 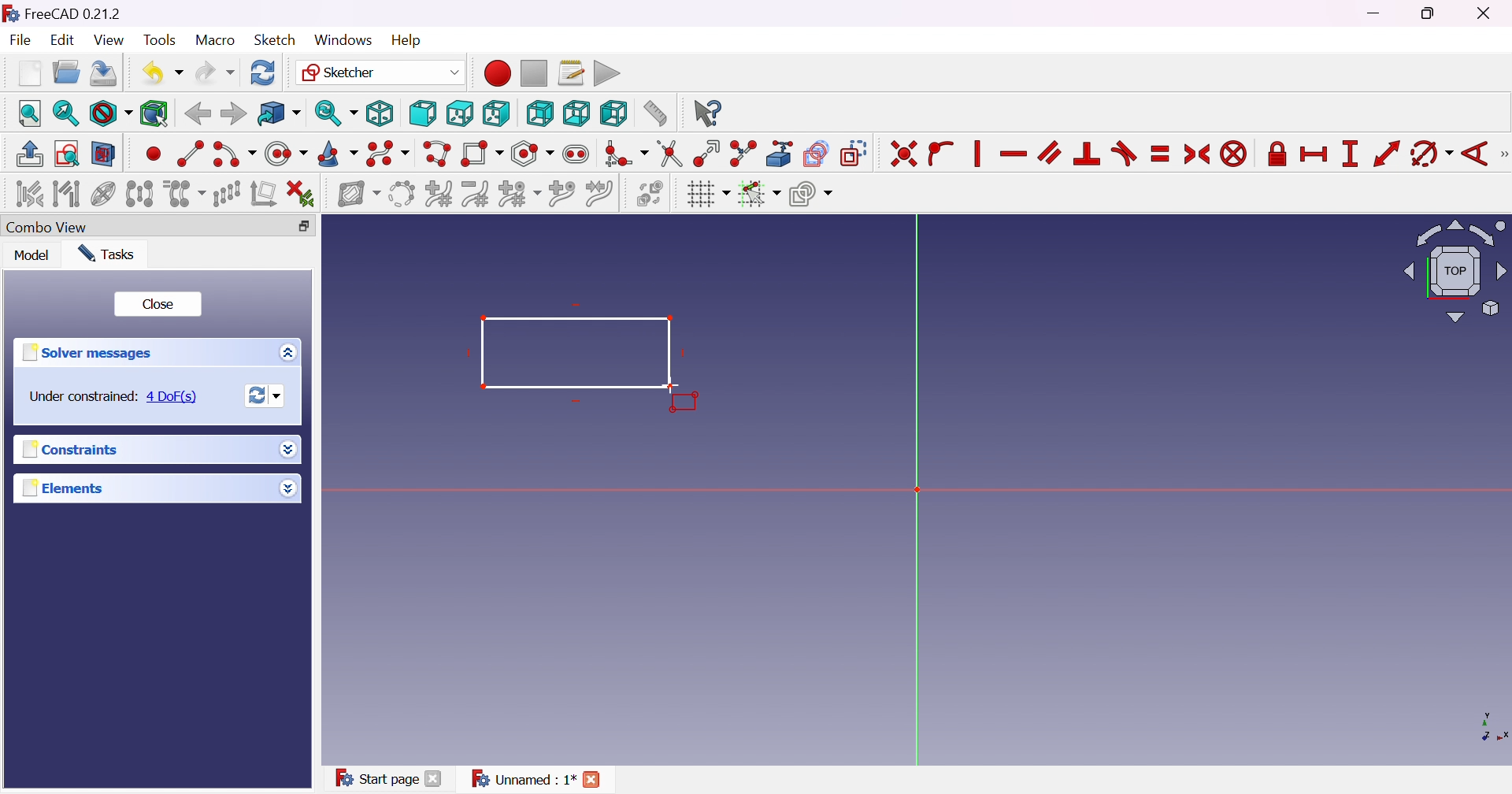 I want to click on Viewing angle, so click(x=1451, y=270).